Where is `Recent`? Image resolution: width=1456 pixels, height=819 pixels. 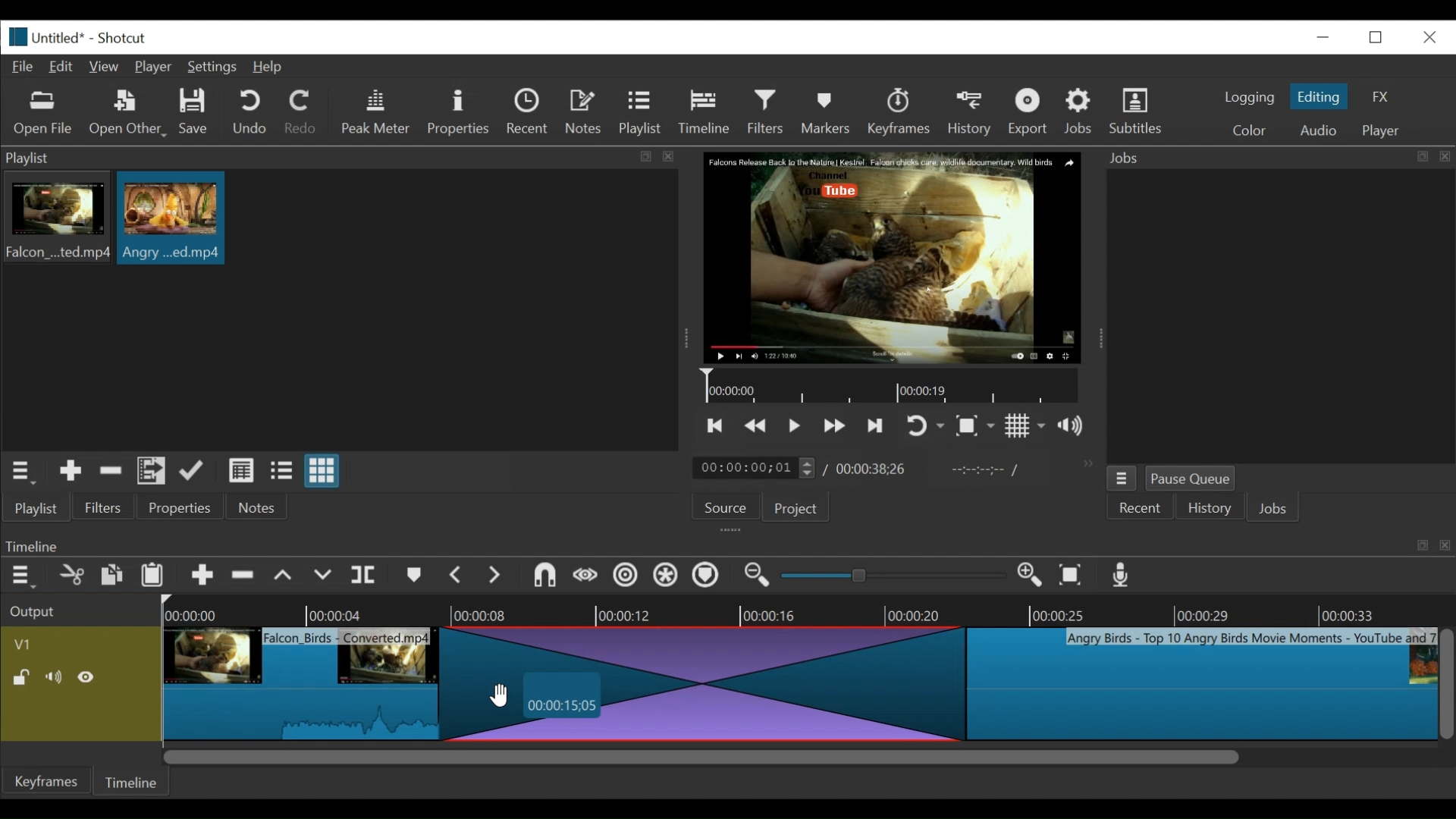
Recent is located at coordinates (531, 114).